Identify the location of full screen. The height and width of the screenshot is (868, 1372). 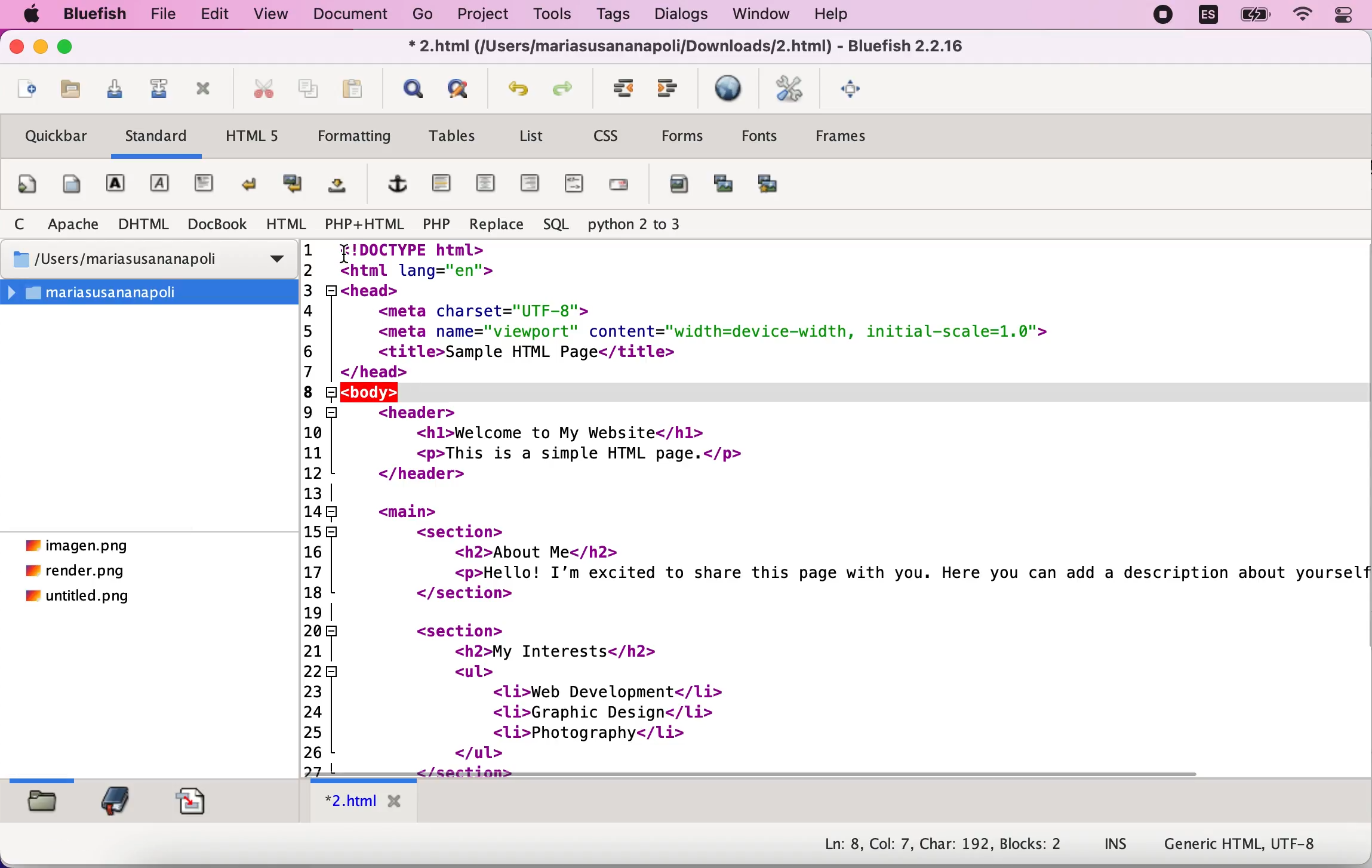
(857, 95).